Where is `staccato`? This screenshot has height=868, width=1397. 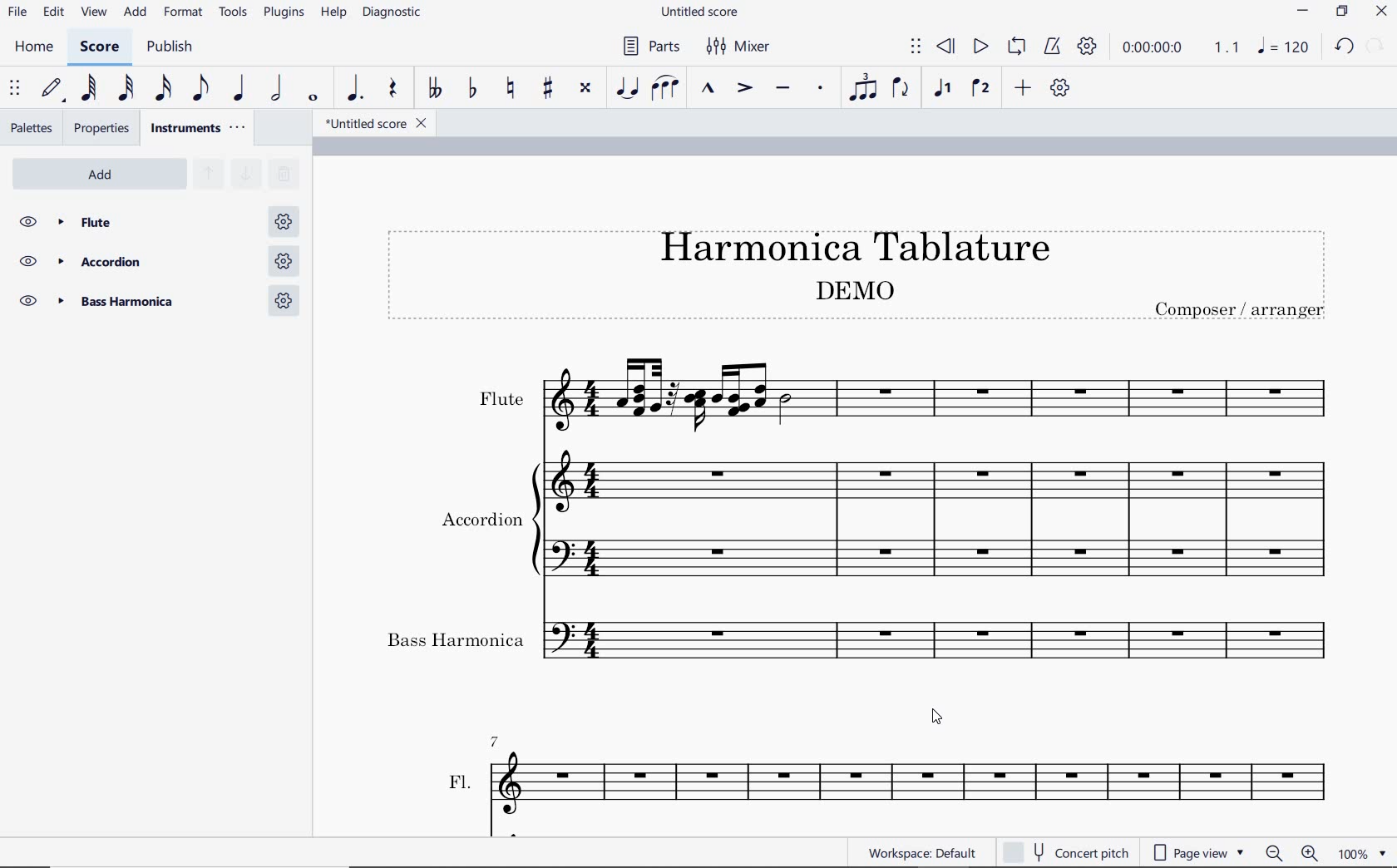
staccato is located at coordinates (820, 89).